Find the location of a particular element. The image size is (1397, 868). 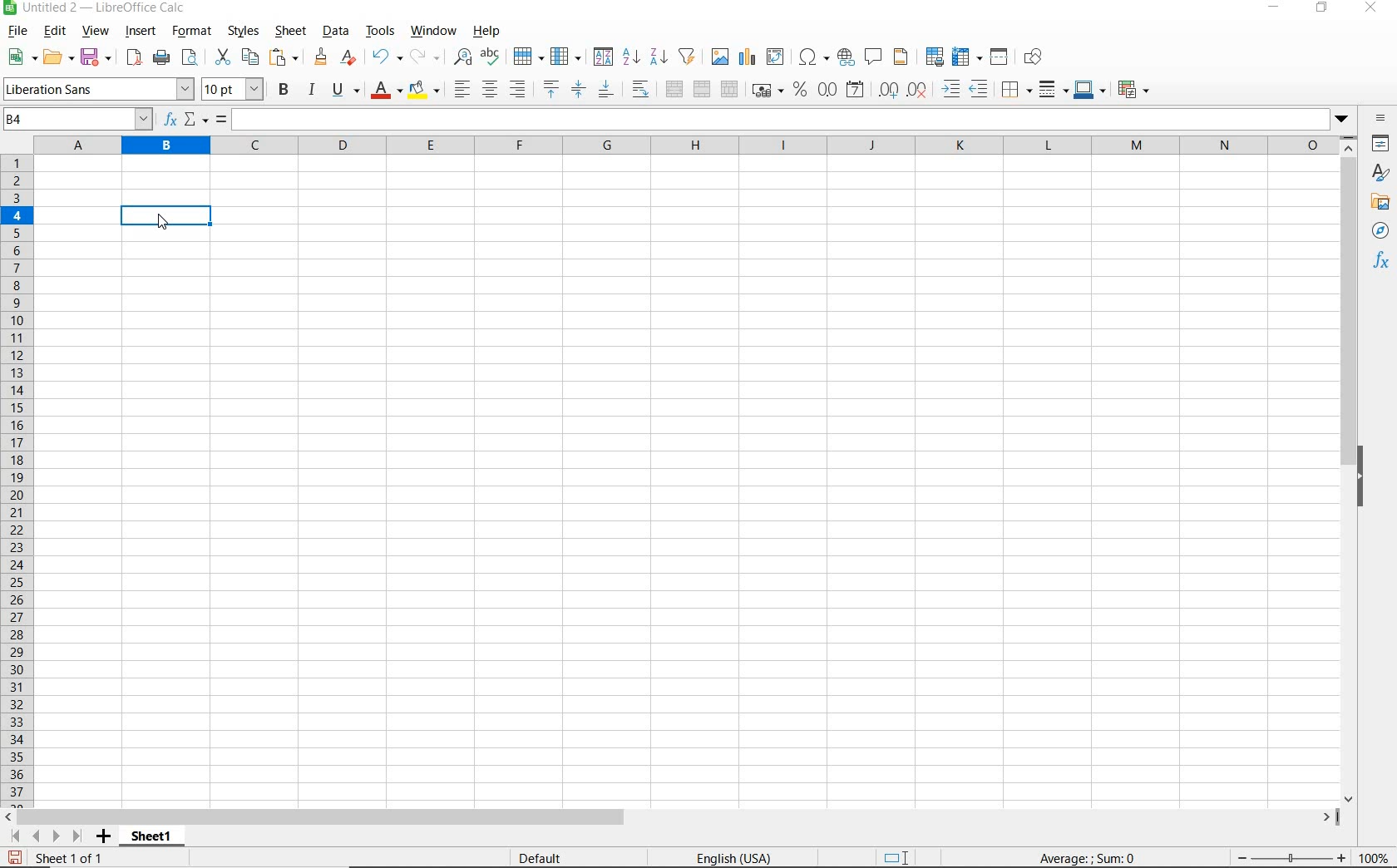

clone formatting is located at coordinates (323, 57).